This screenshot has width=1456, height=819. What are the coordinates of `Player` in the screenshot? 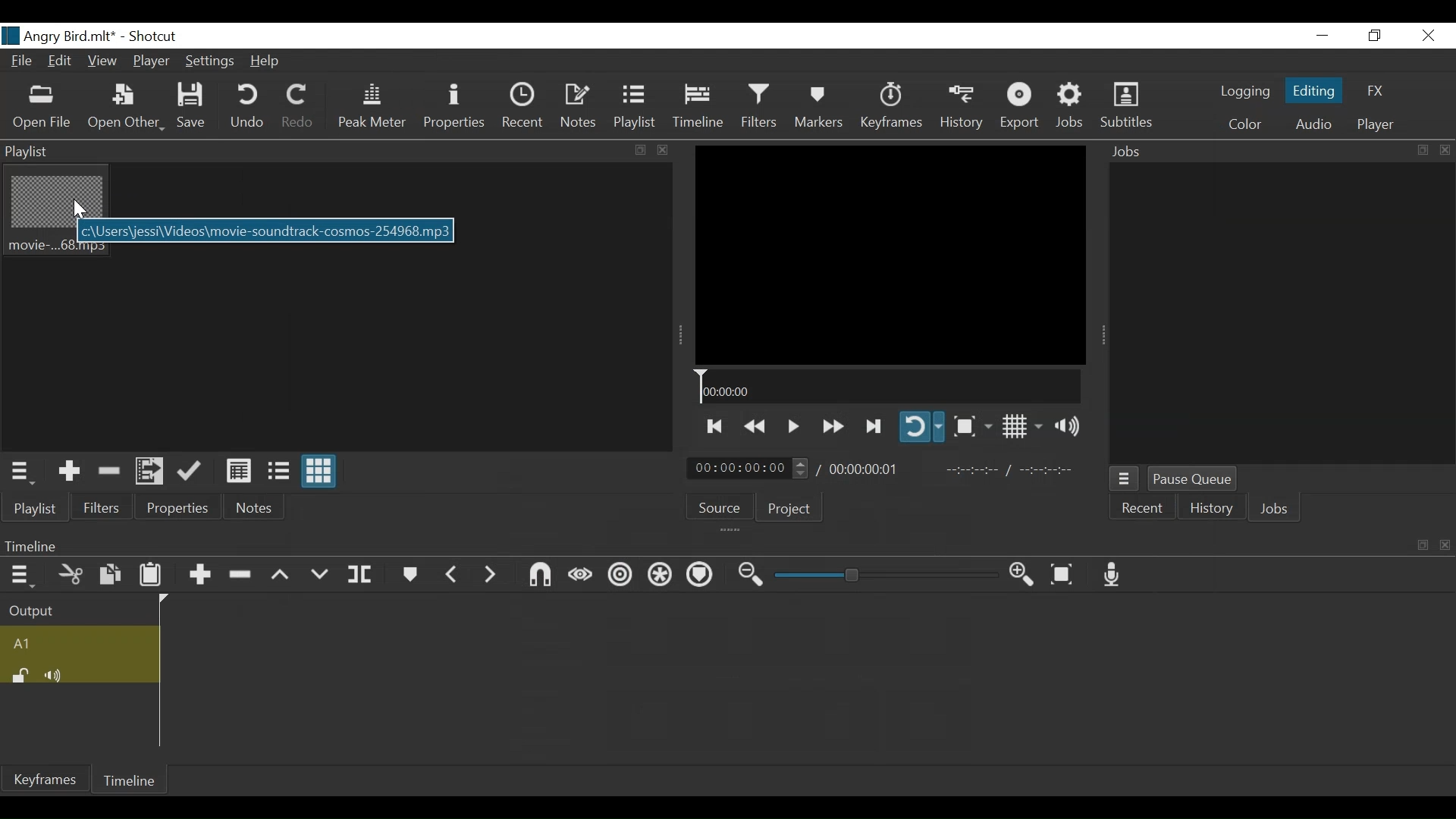 It's located at (1373, 126).